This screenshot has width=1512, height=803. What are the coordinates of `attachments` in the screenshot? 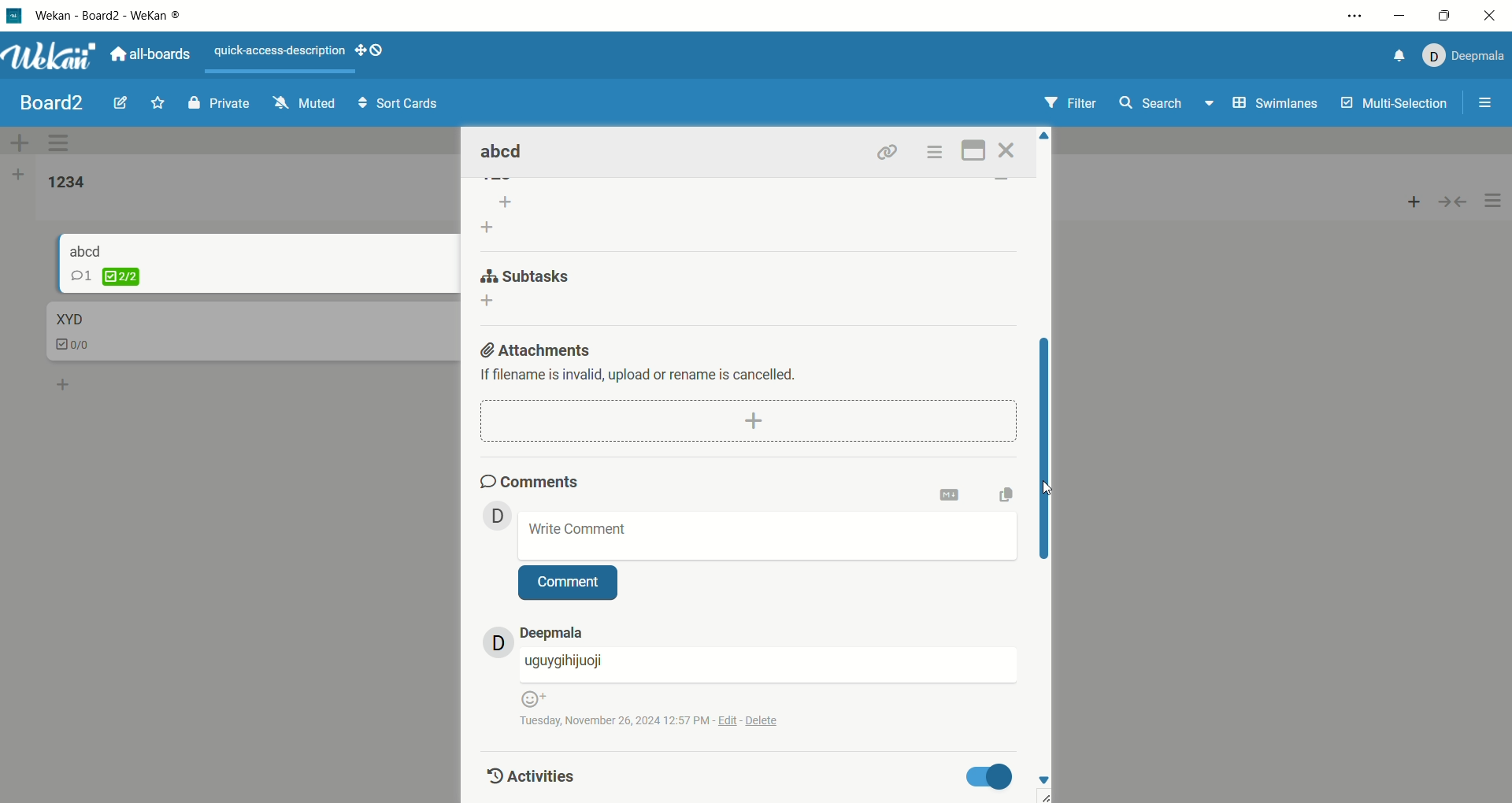 It's located at (538, 346).